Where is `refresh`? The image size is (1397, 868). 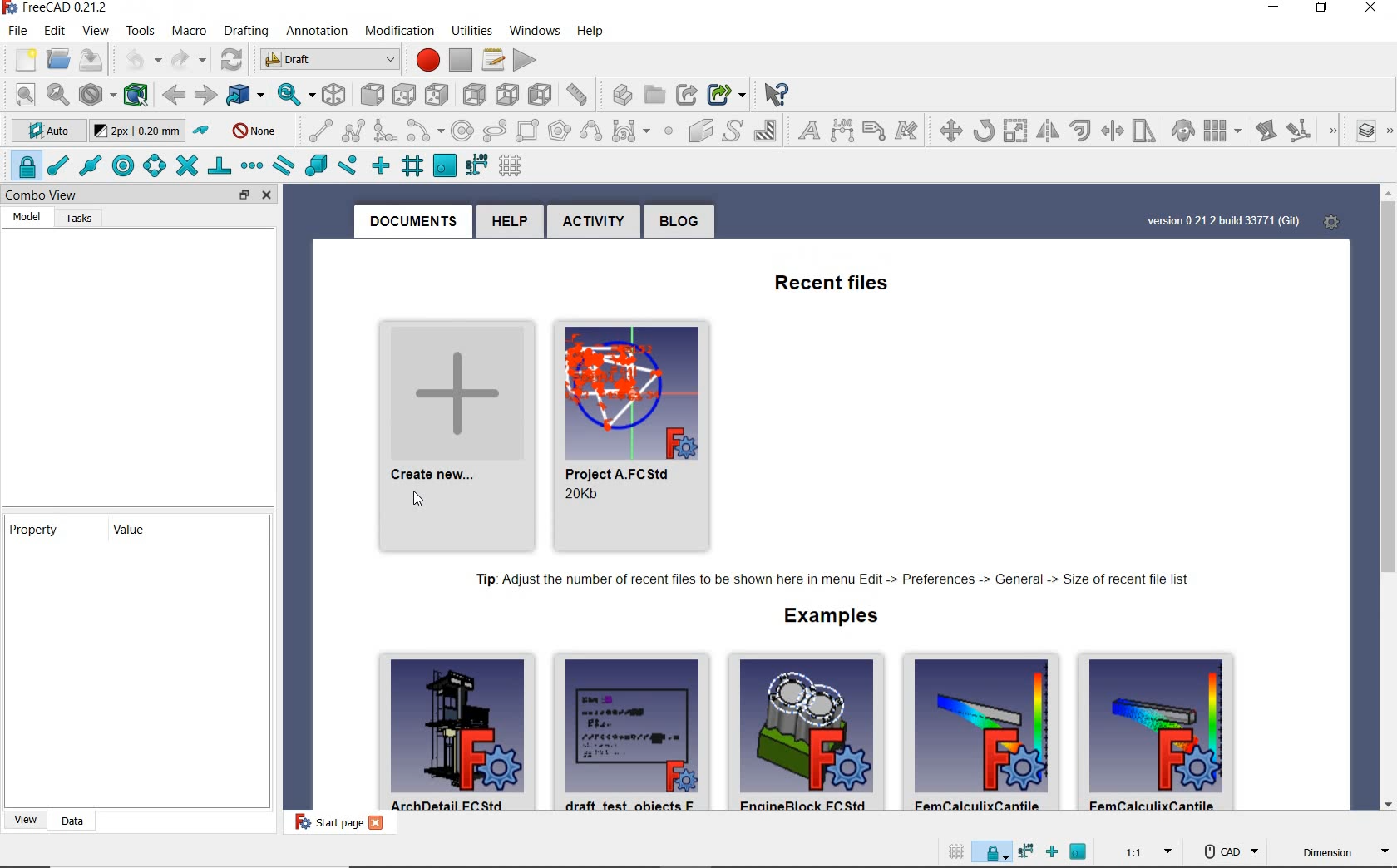 refresh is located at coordinates (225, 58).